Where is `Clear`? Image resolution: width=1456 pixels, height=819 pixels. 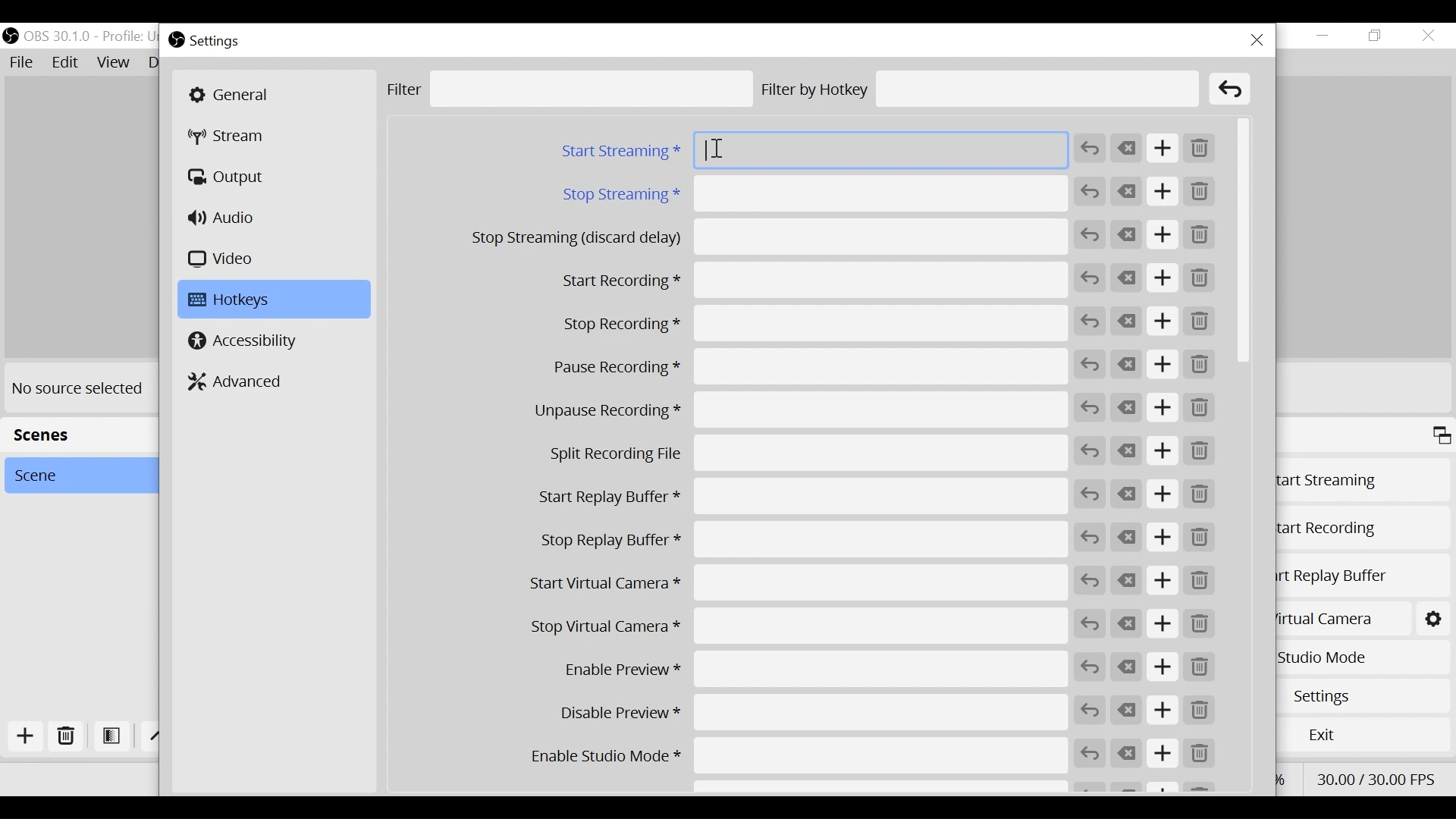 Clear is located at coordinates (1127, 149).